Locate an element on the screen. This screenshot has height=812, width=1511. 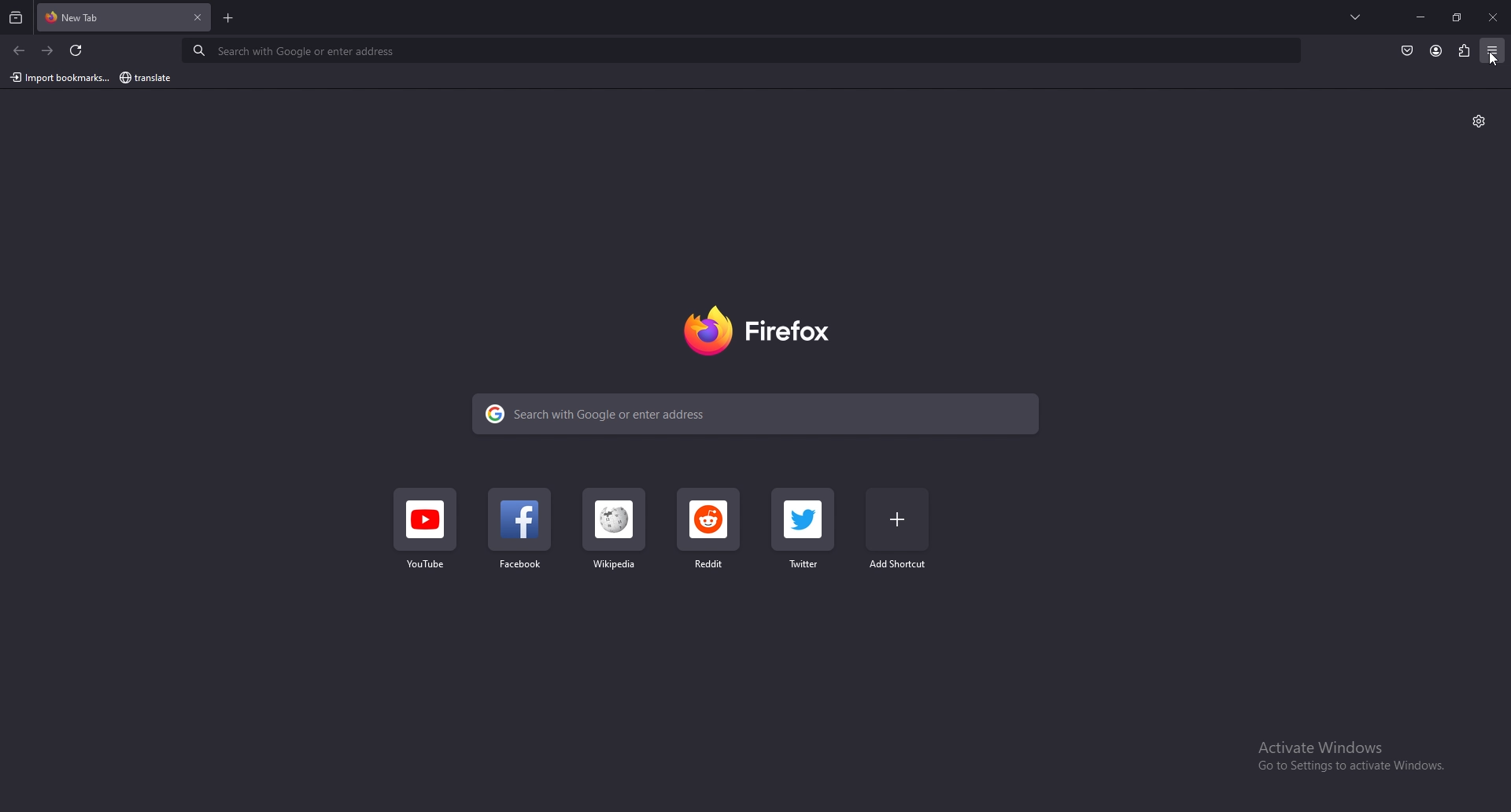
bookmark is located at coordinates (147, 79).